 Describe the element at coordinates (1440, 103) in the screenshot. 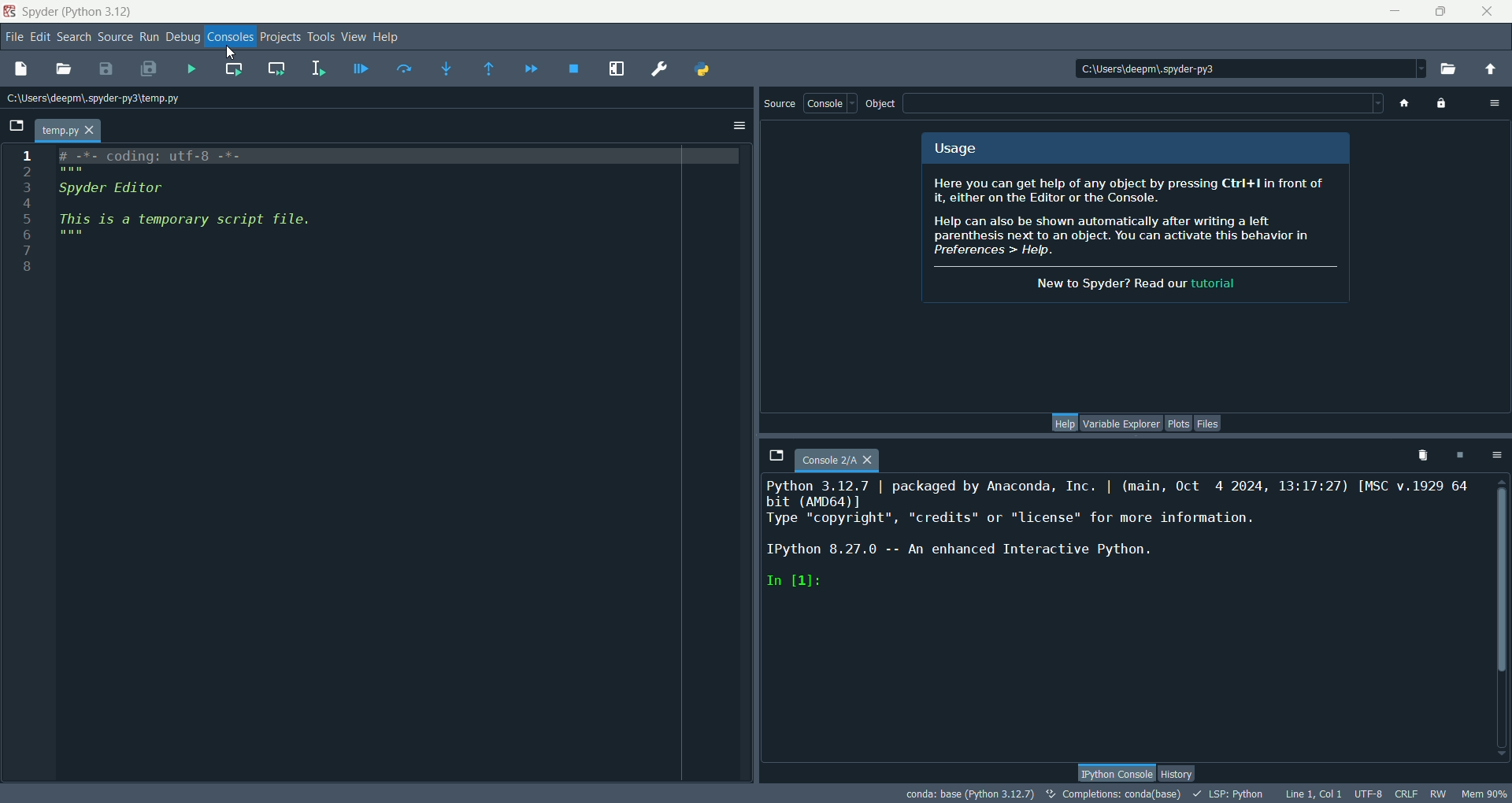

I see `lock` at that location.